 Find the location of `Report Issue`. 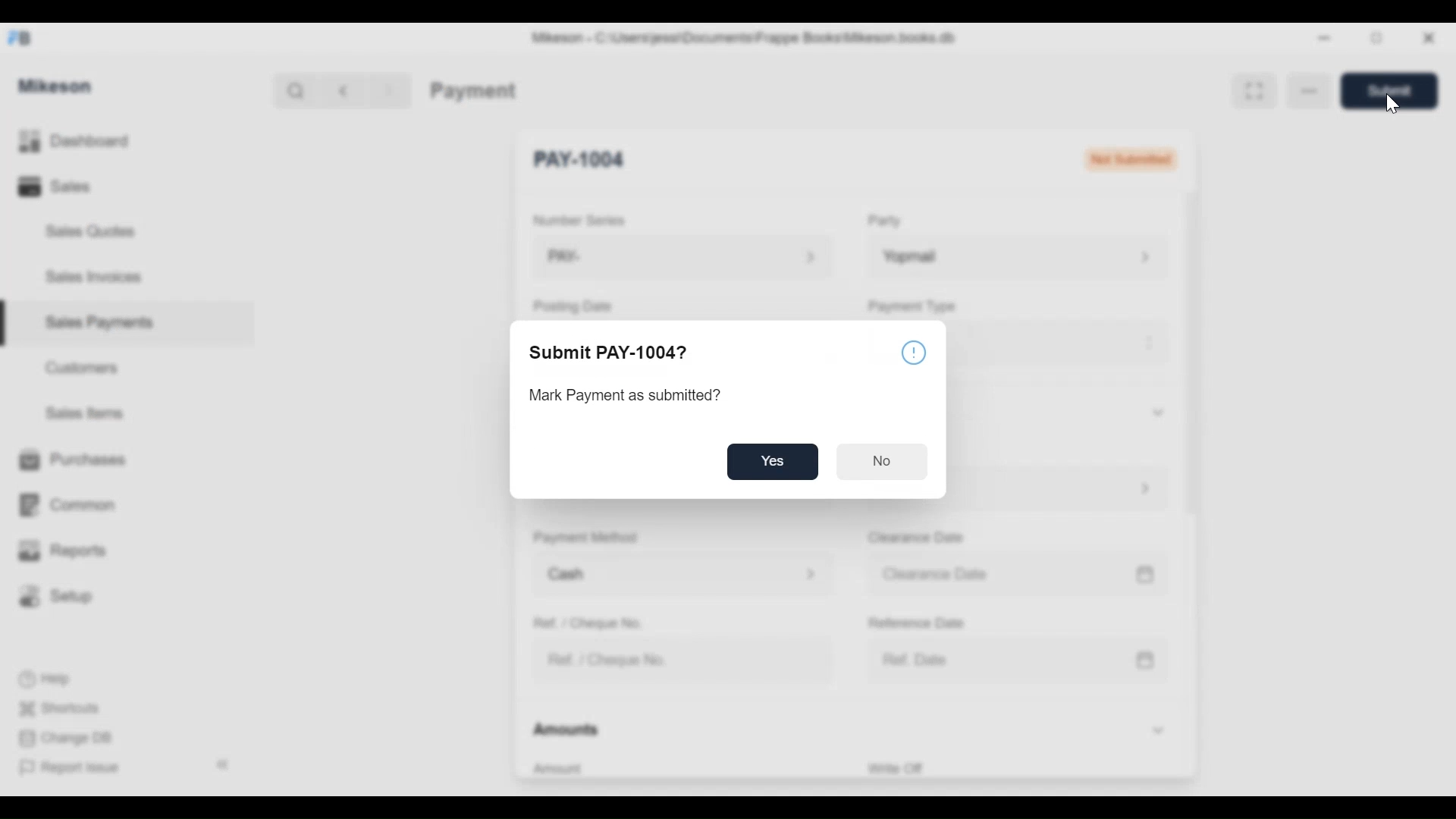

Report Issue is located at coordinates (77, 768).